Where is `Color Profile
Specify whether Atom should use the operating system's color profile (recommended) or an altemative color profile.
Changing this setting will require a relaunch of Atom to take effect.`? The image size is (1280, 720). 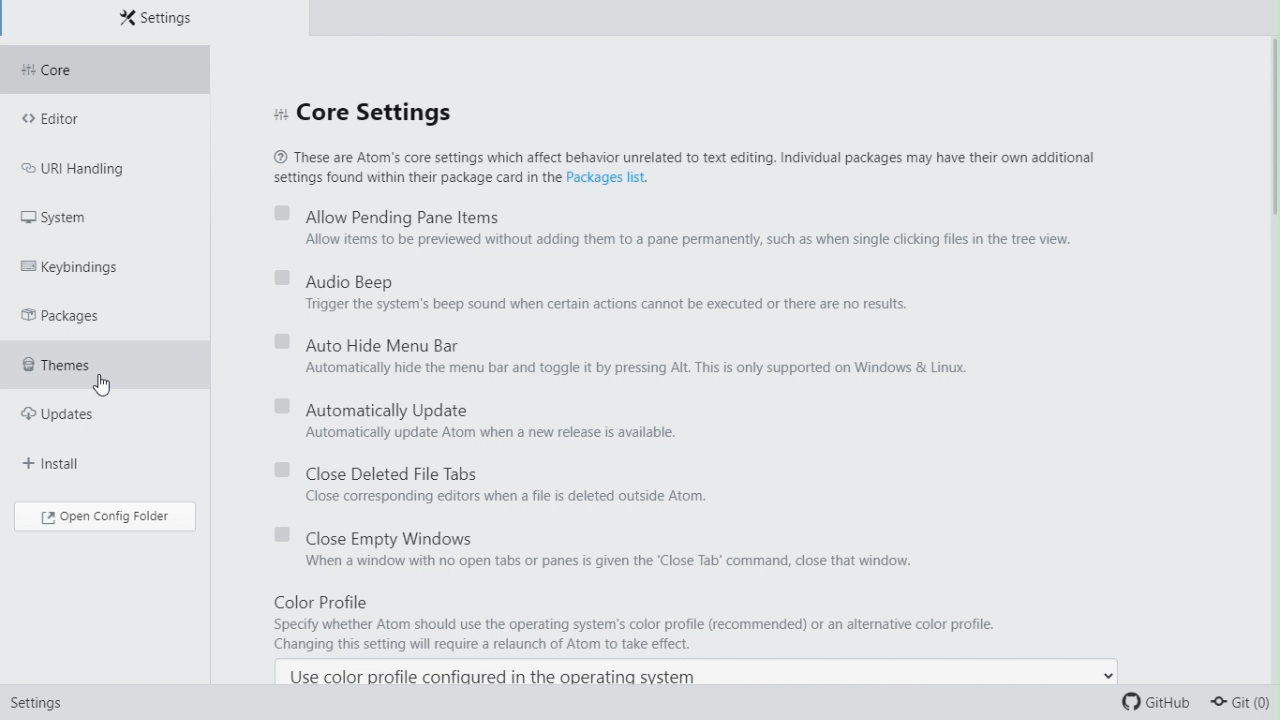 Color Profile
Specify whether Atom should use the operating system's color profile (recommended) or an altemative color profile.
Changing this setting will require a relaunch of Atom to take effect. is located at coordinates (664, 616).